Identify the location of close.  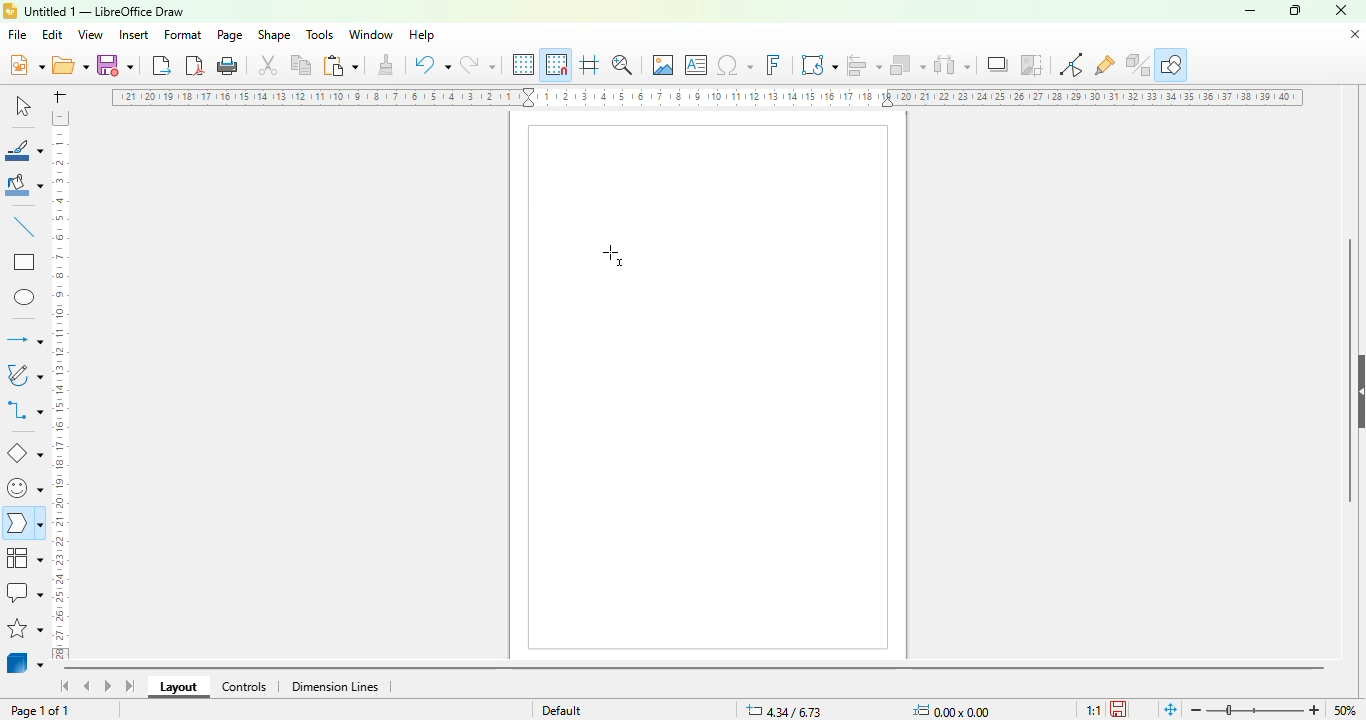
(1341, 10).